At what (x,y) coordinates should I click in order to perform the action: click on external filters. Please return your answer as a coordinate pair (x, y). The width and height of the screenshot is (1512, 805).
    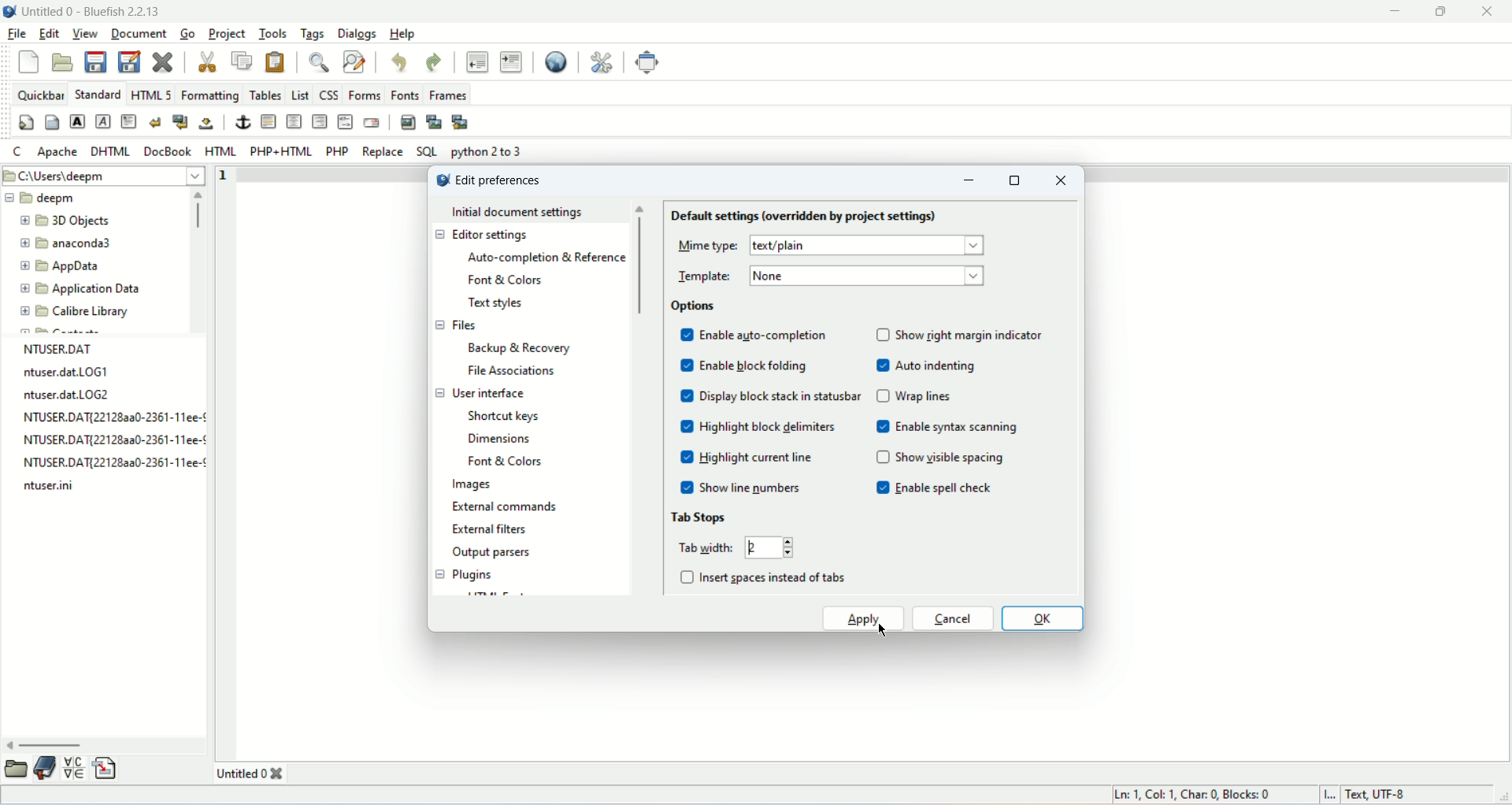
    Looking at the image, I should click on (491, 529).